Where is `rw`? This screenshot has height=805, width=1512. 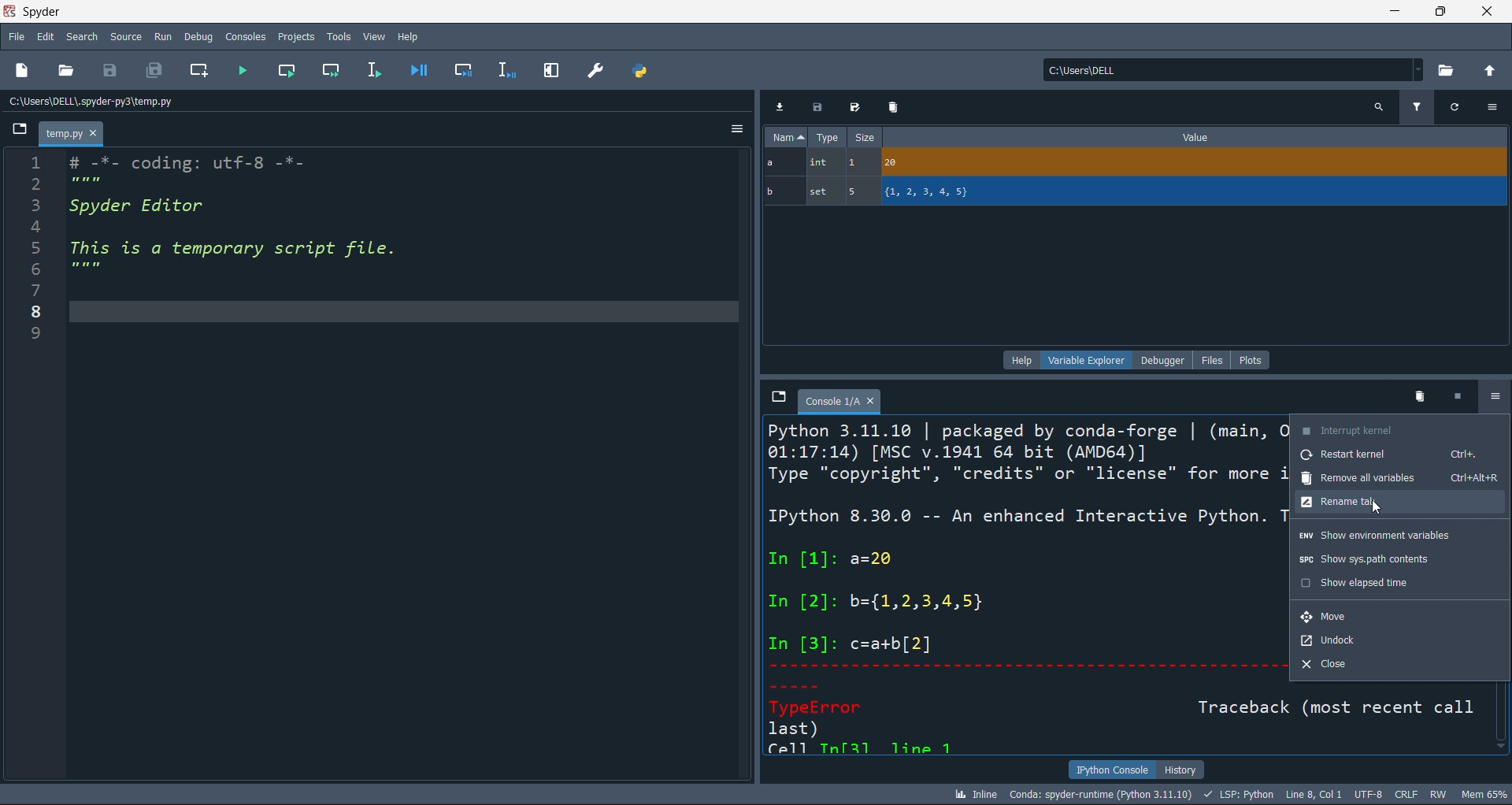 rw is located at coordinates (1437, 794).